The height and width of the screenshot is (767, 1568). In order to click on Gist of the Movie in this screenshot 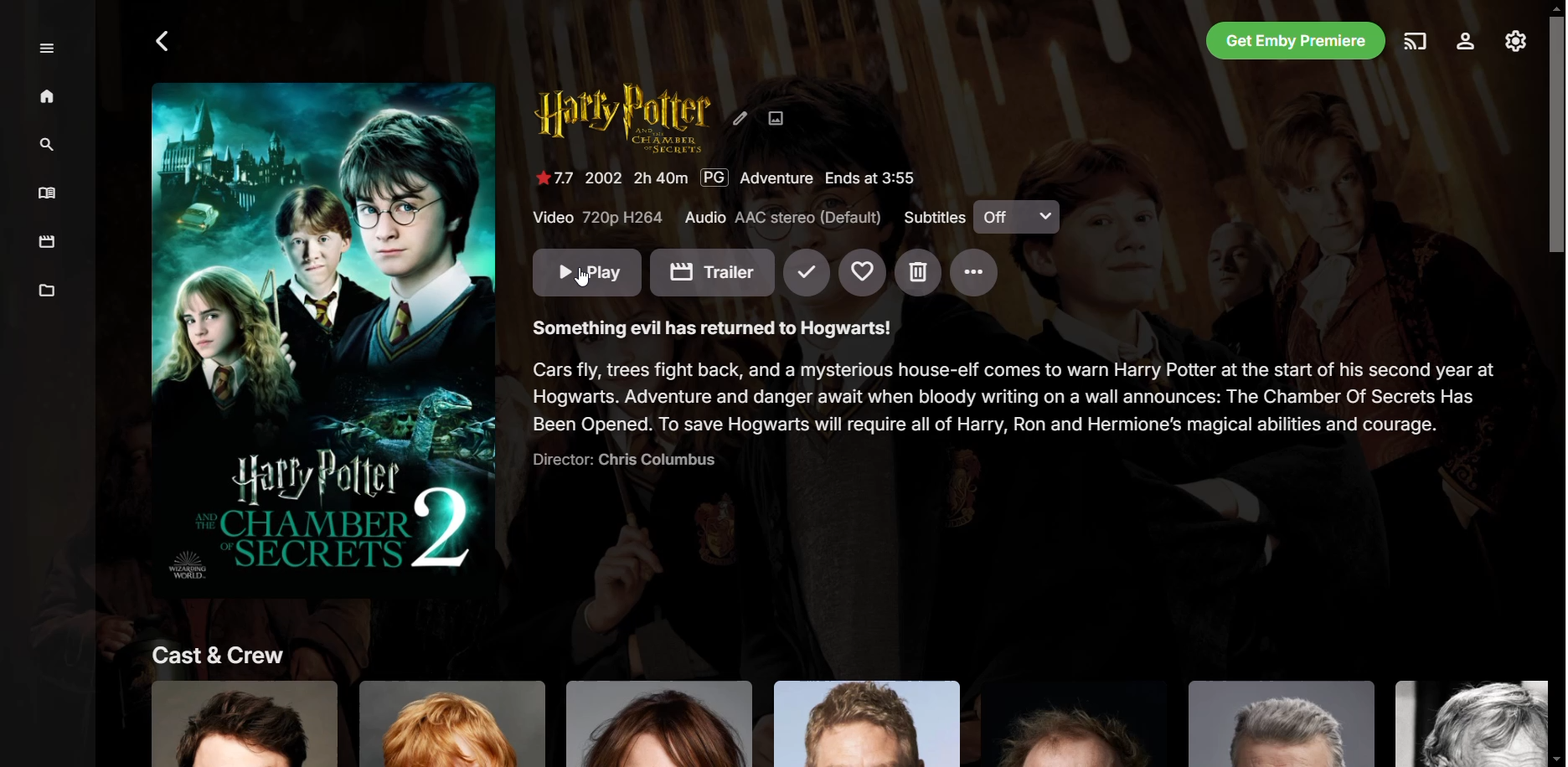, I will do `click(1016, 409)`.